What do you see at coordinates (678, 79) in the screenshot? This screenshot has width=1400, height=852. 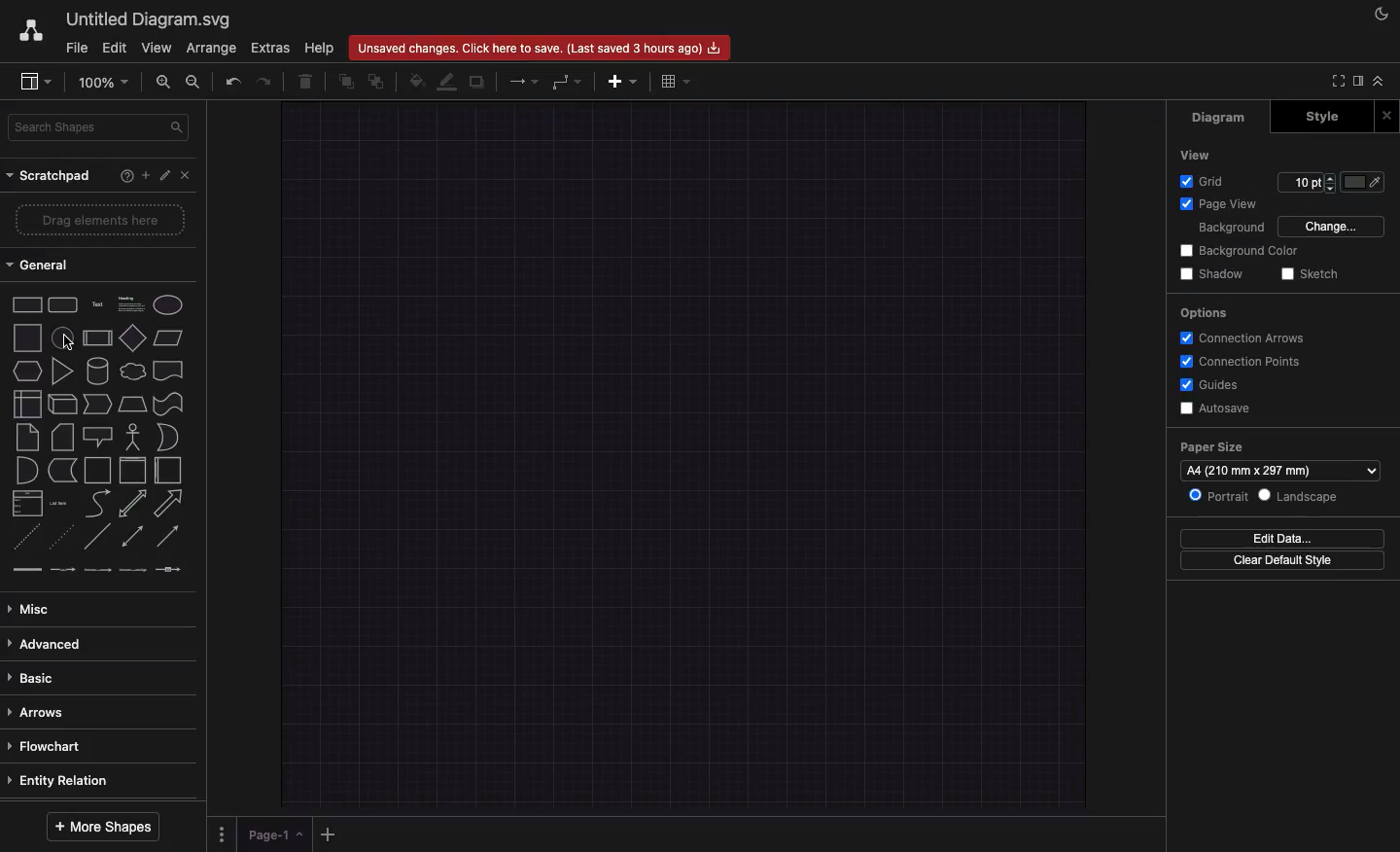 I see `Table` at bounding box center [678, 79].